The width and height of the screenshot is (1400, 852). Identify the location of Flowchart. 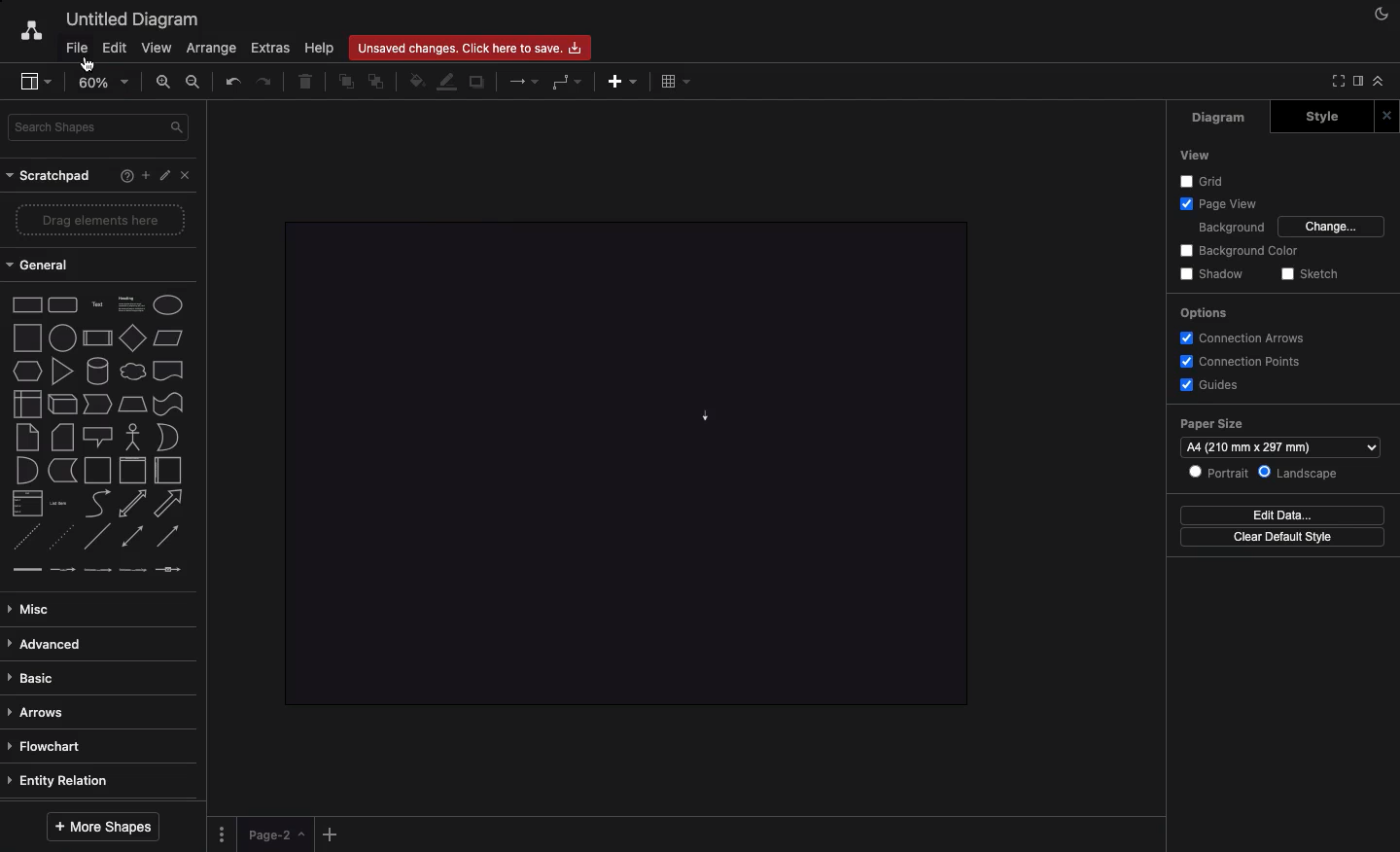
(46, 746).